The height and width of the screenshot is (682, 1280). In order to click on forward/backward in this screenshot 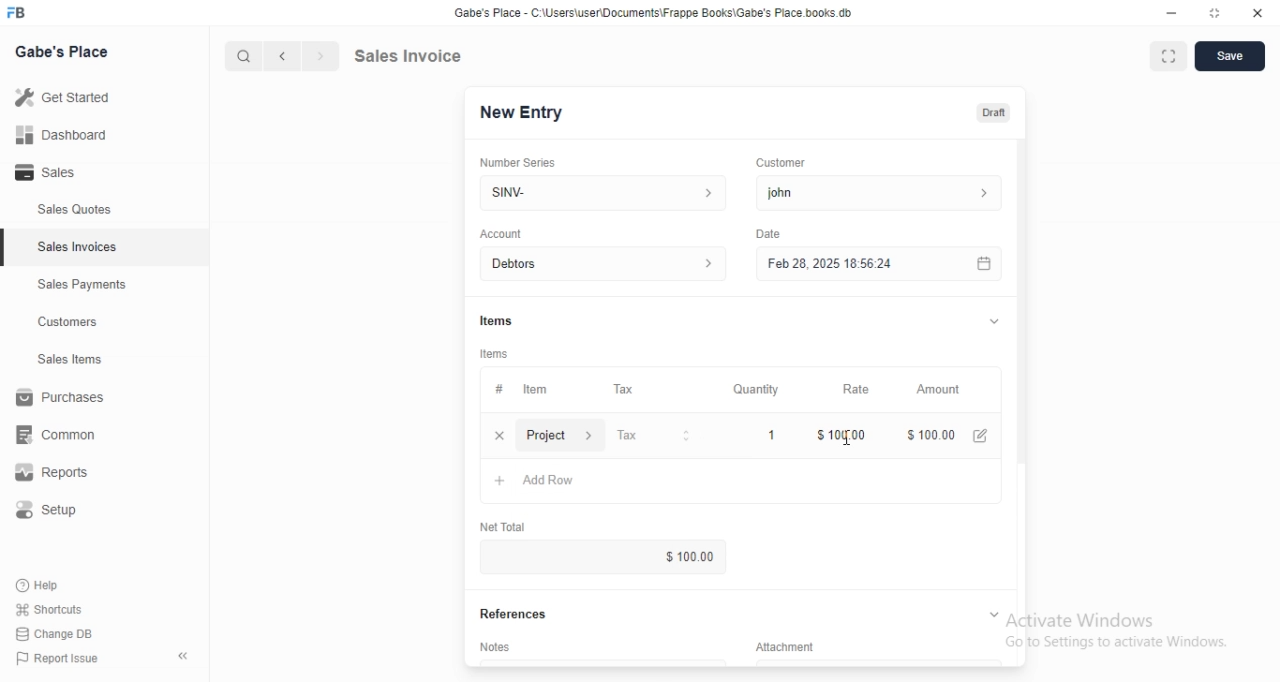, I will do `click(300, 56)`.